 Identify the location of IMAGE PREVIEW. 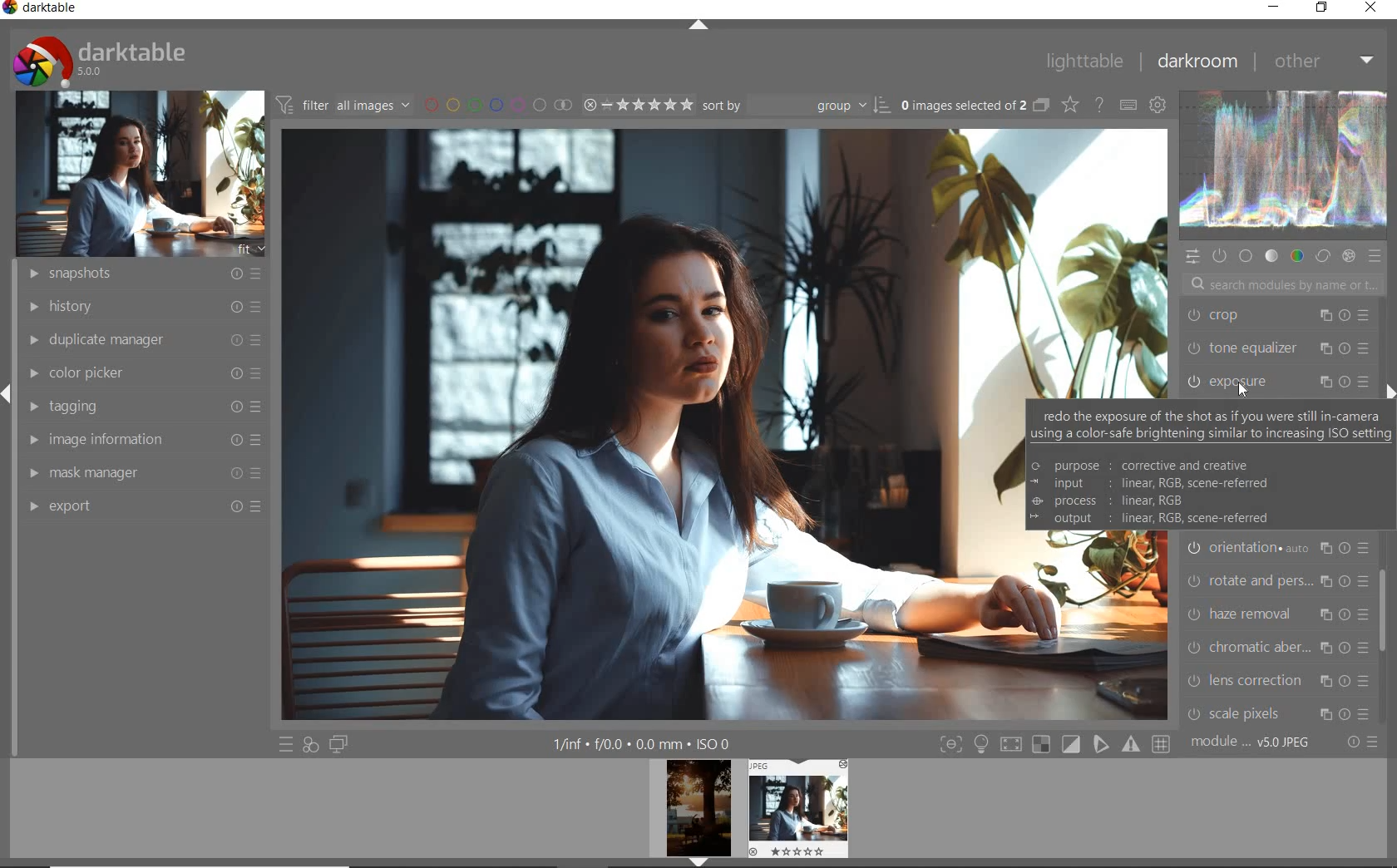
(698, 814).